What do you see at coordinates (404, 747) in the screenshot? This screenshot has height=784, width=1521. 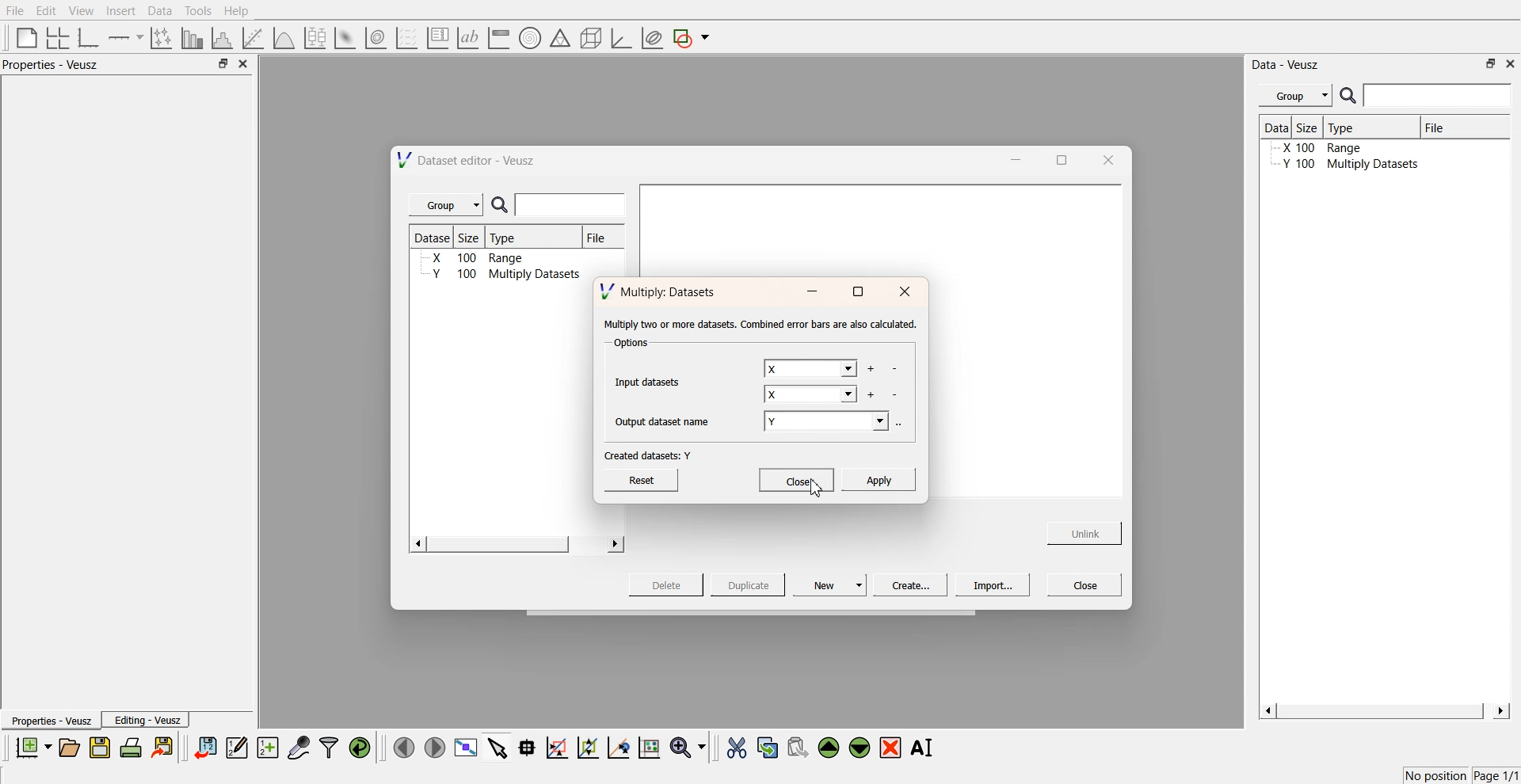 I see `move left` at bounding box center [404, 747].